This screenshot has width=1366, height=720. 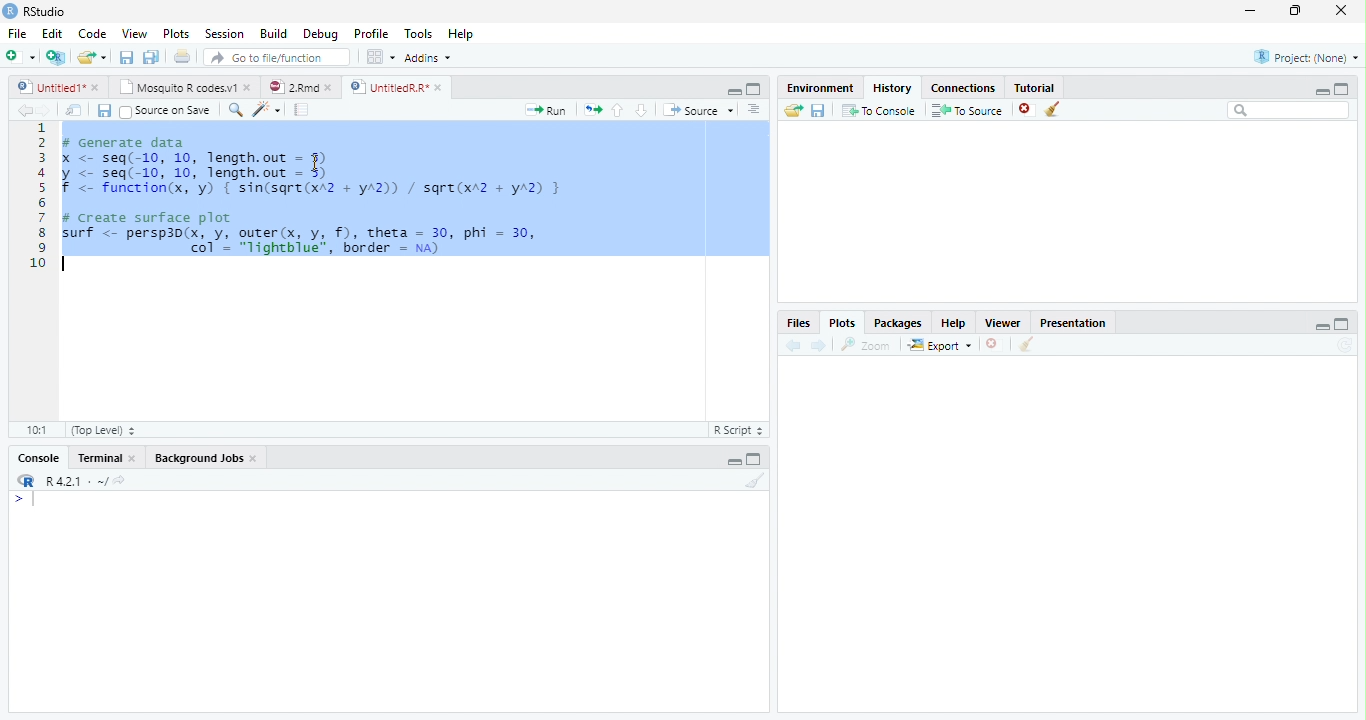 What do you see at coordinates (317, 204) in the screenshot?
I see `# Generate datax <- seq(-10, 10, length.out = 5)y <- seq(-10, 10, length.out - 5)f <- function(x, 'y) { sin(sqre(xA2 + yA2)) / sqre(xr2 + yA2) }# Create surface plotsurf <- persp3d(x, y, outer(x, y, f), theta = 30, phi = 30,| col’ = "lightblue", border = na)` at bounding box center [317, 204].